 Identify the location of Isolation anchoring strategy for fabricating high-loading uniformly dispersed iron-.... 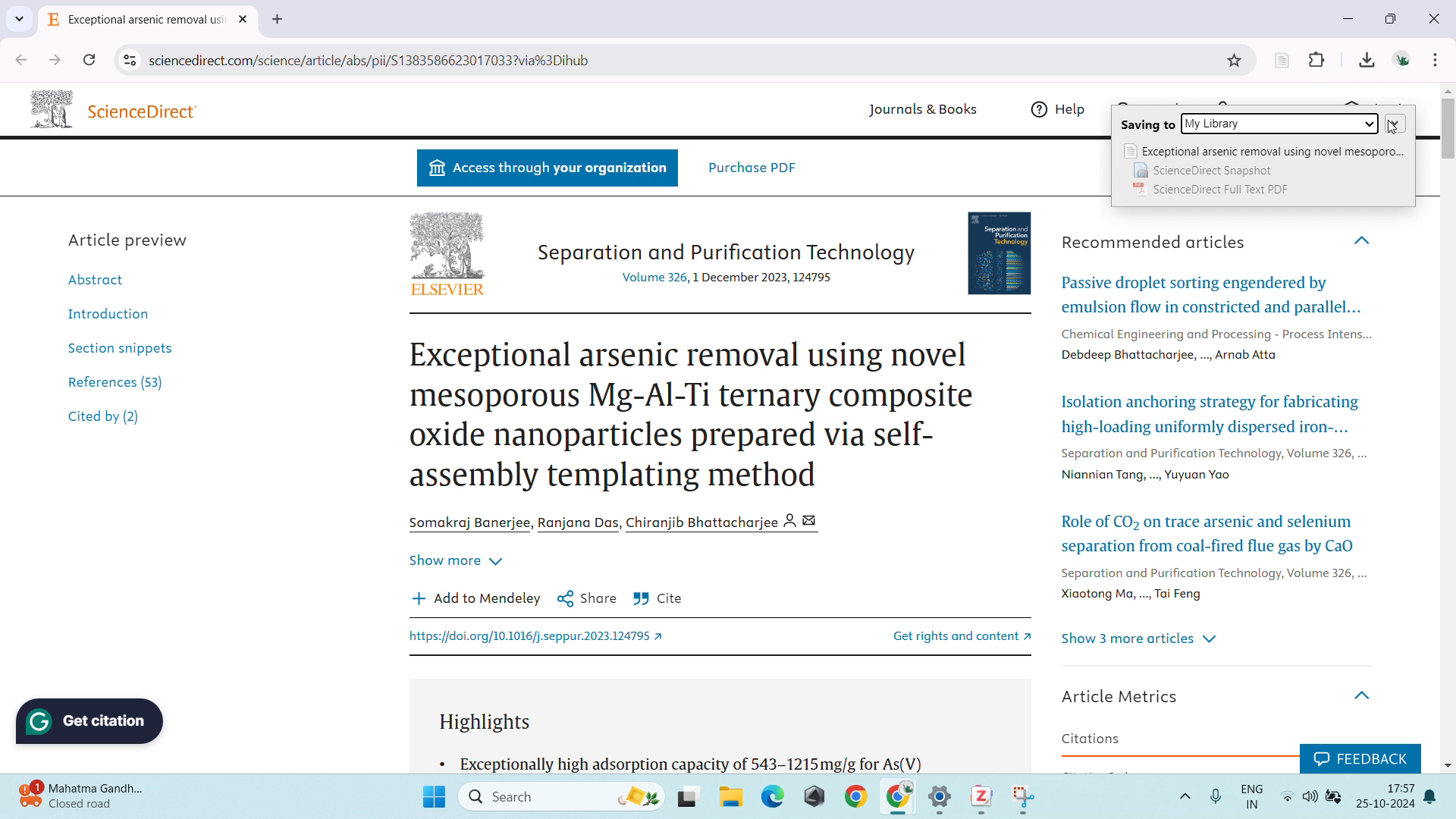
(1209, 414).